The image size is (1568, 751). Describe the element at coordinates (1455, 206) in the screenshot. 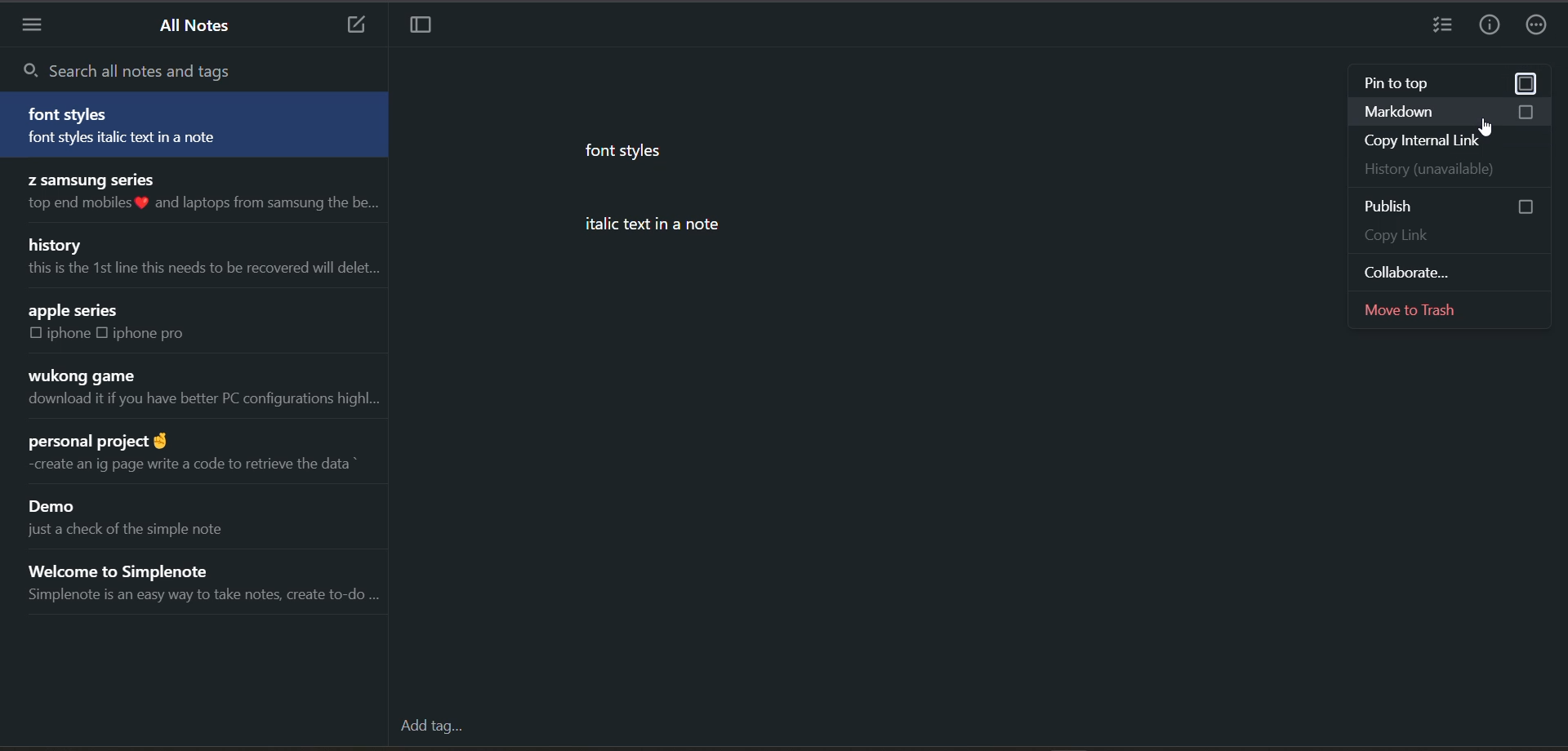

I see `publish` at that location.